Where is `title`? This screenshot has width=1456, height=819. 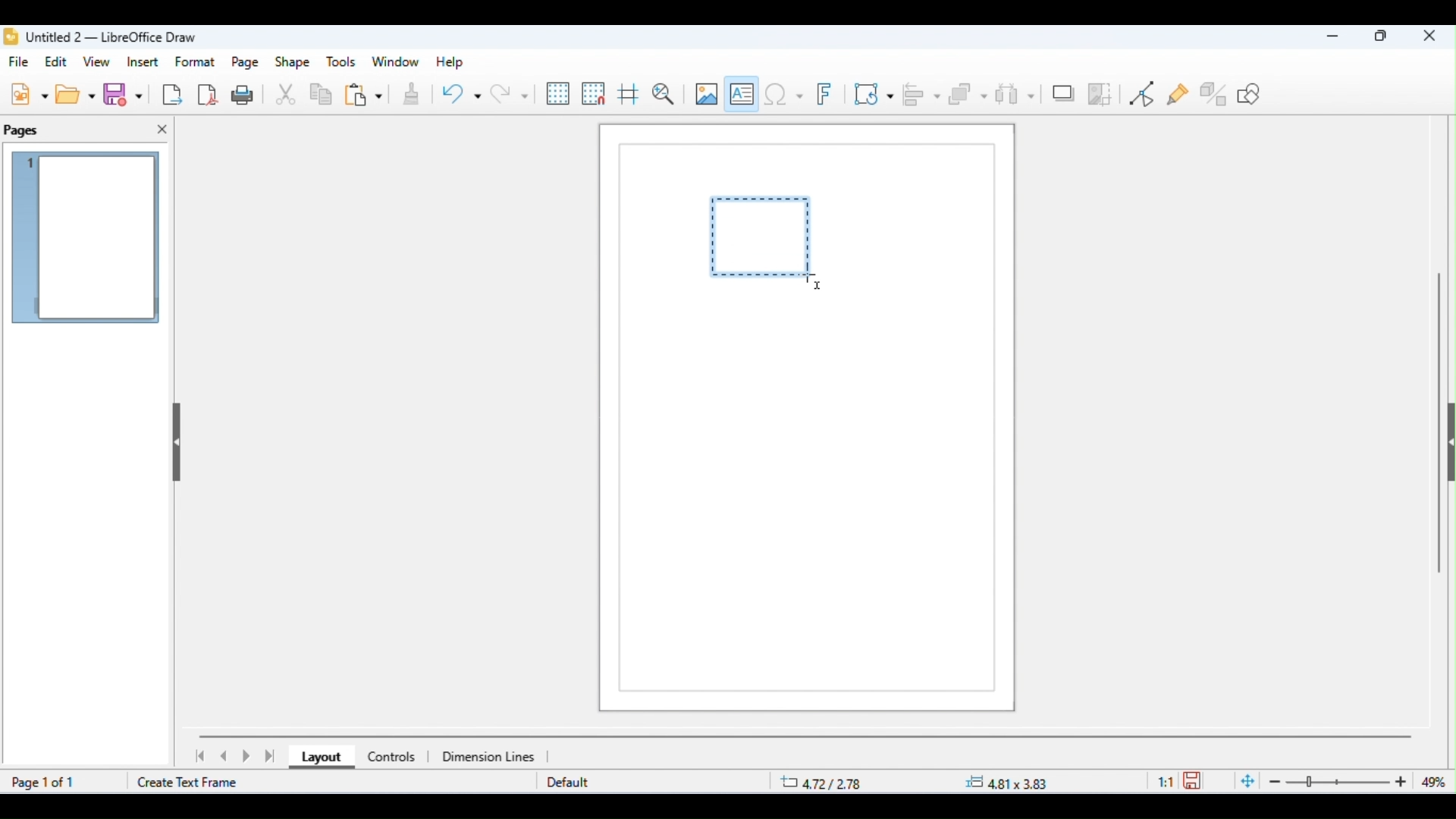 title is located at coordinates (101, 37).